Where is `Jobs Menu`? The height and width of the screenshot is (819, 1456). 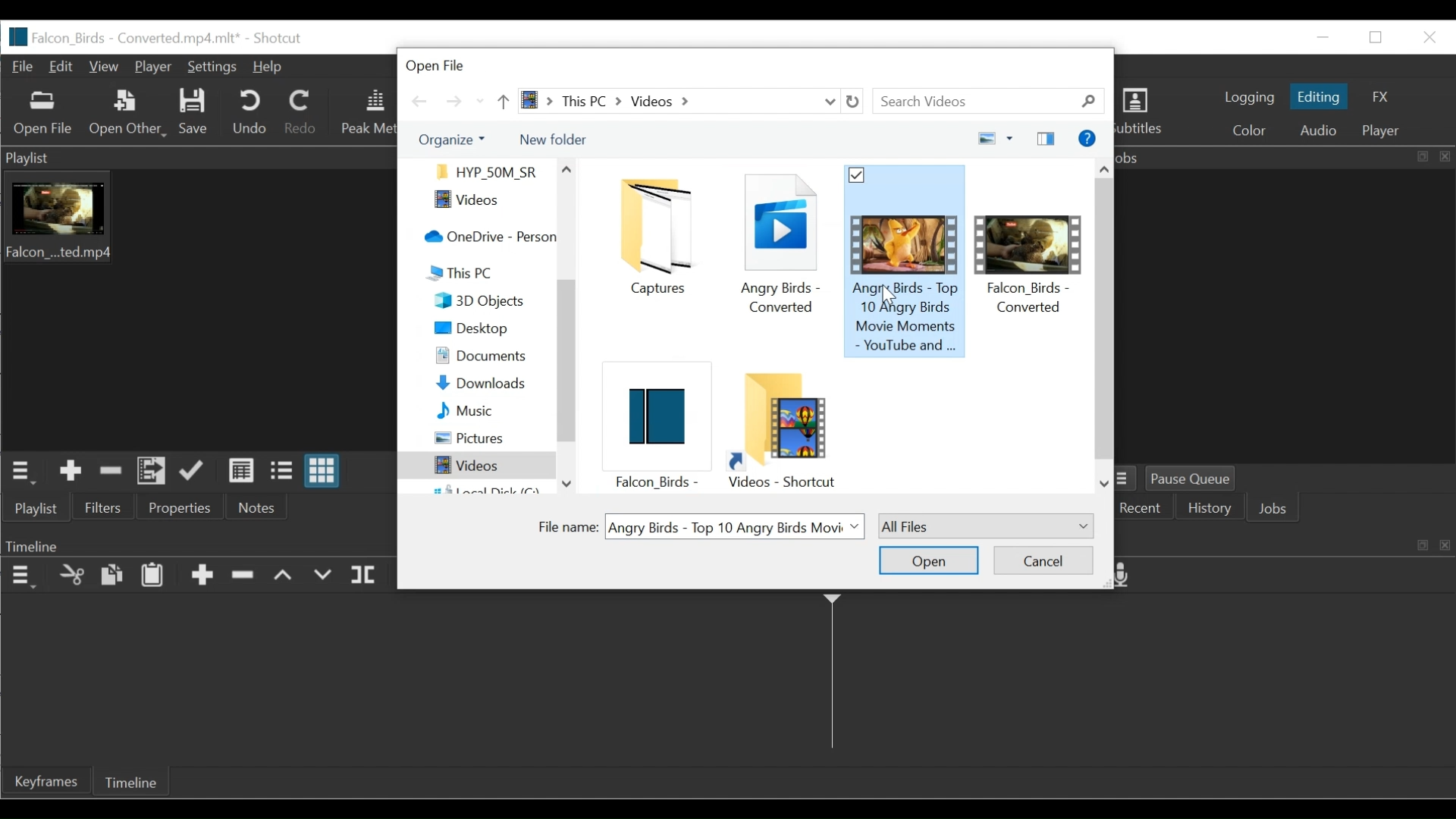 Jobs Menu is located at coordinates (1129, 479).